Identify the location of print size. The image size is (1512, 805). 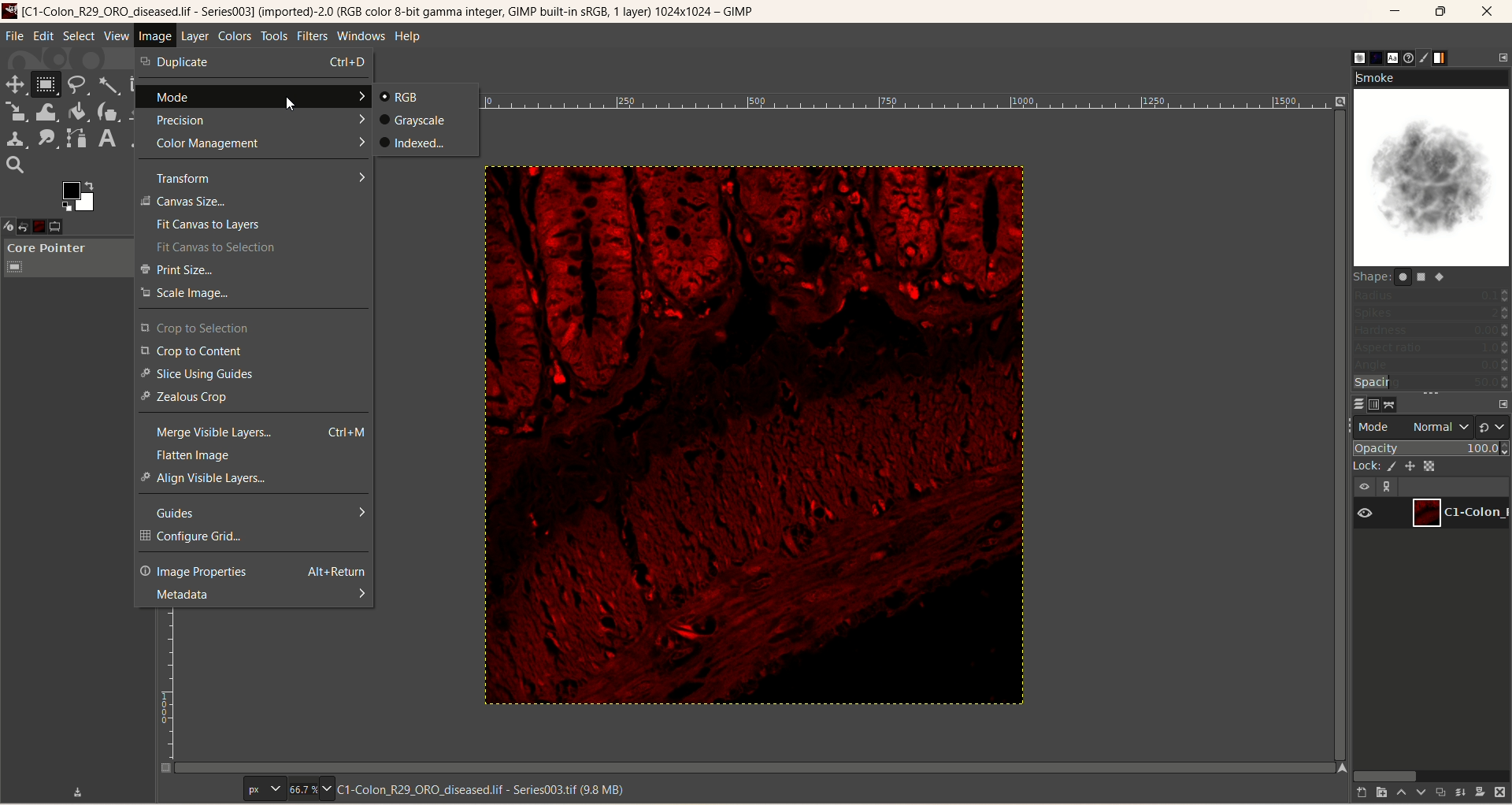
(258, 271).